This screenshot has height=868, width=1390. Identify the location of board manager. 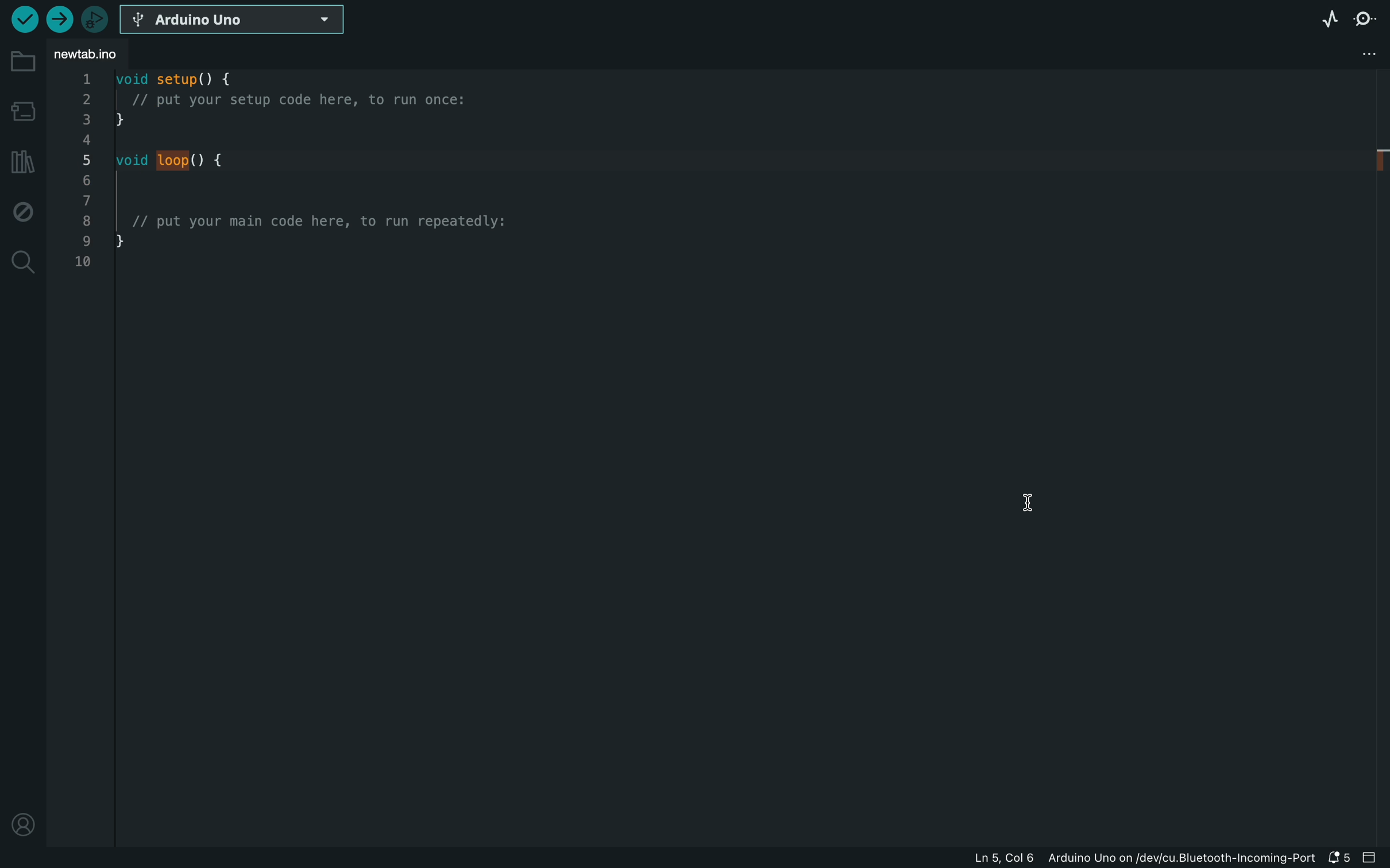
(22, 114).